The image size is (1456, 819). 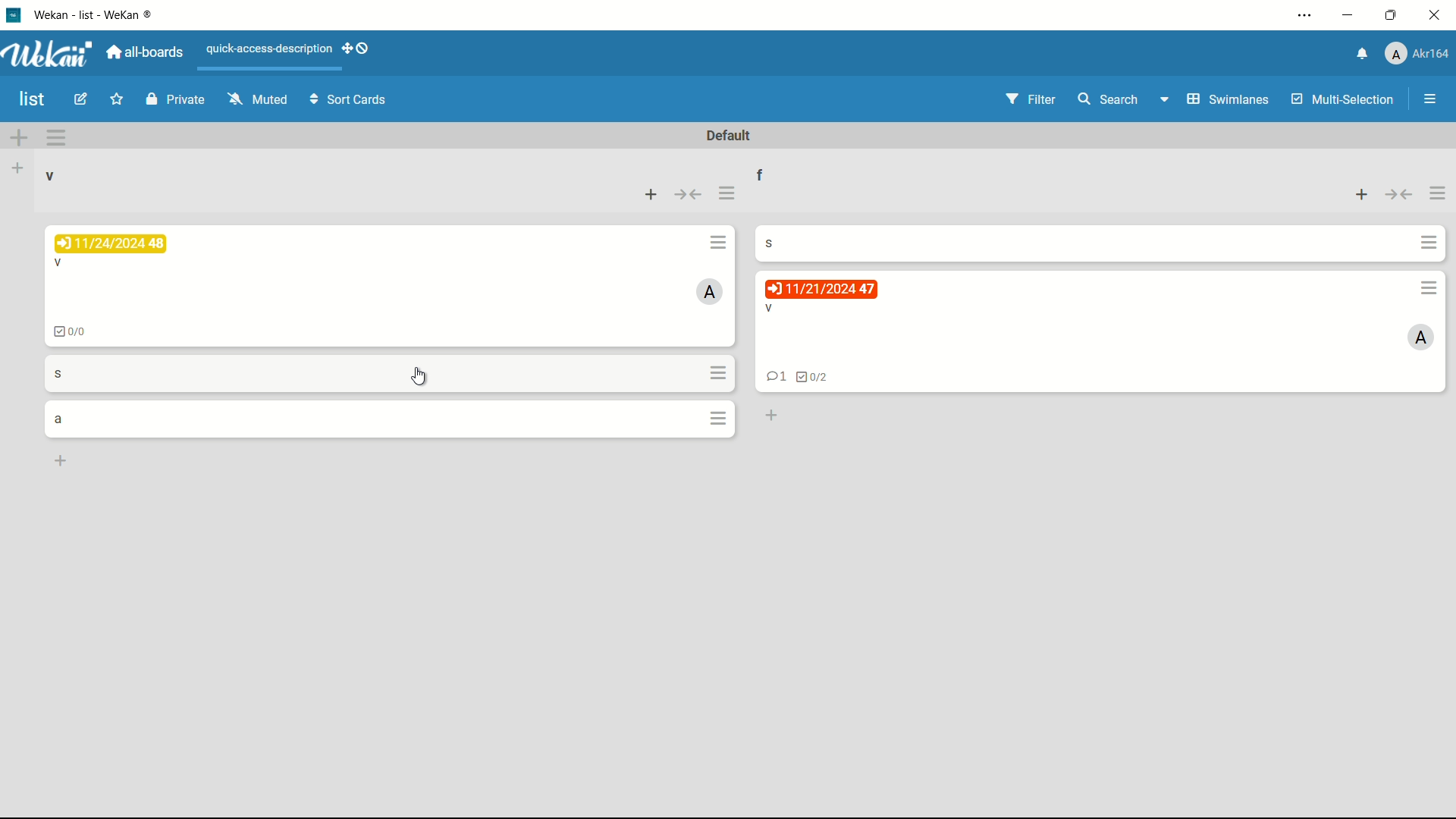 I want to click on  11/21/2024 47, so click(x=822, y=289).